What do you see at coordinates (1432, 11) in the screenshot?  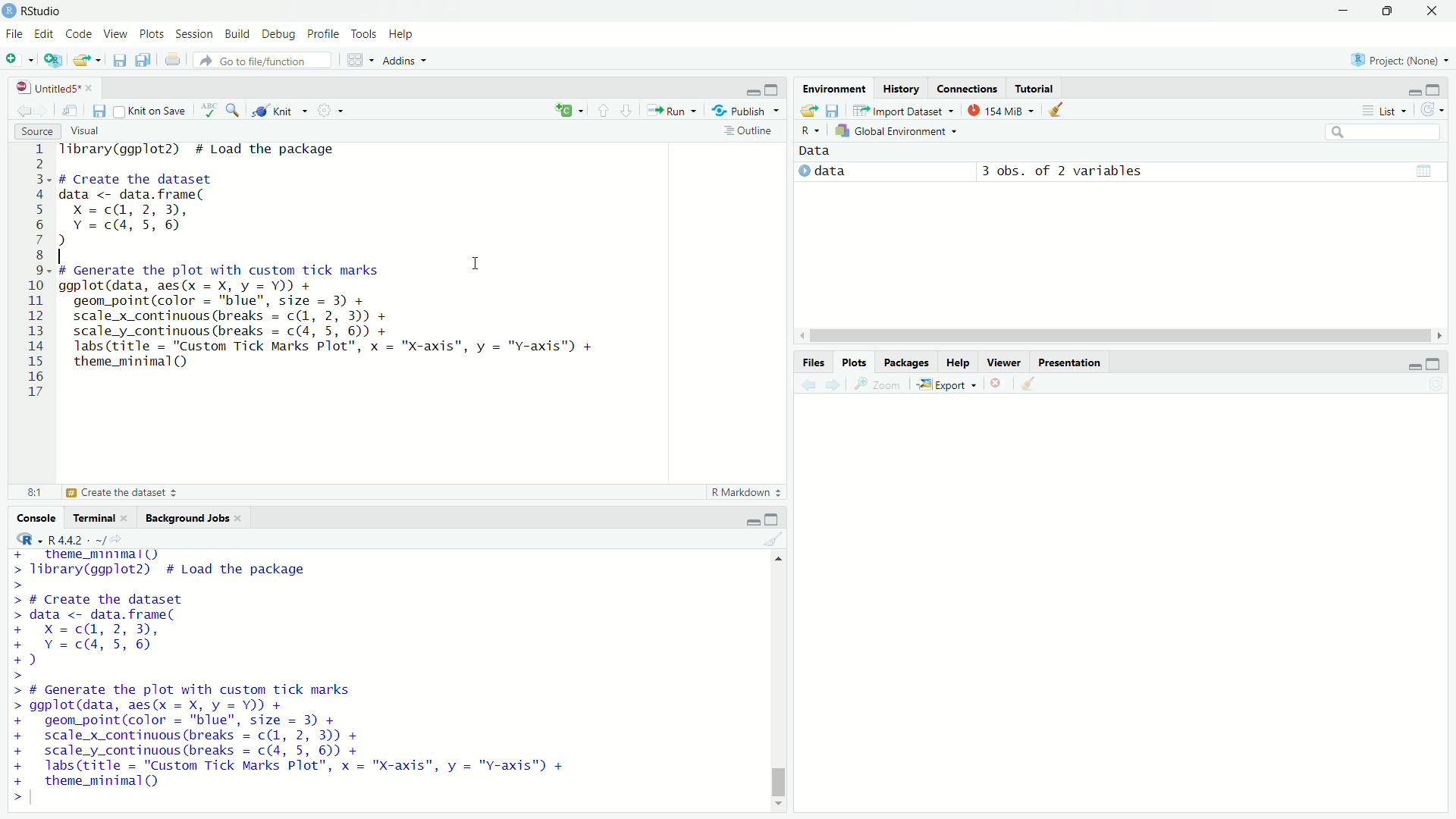 I see `close` at bounding box center [1432, 11].